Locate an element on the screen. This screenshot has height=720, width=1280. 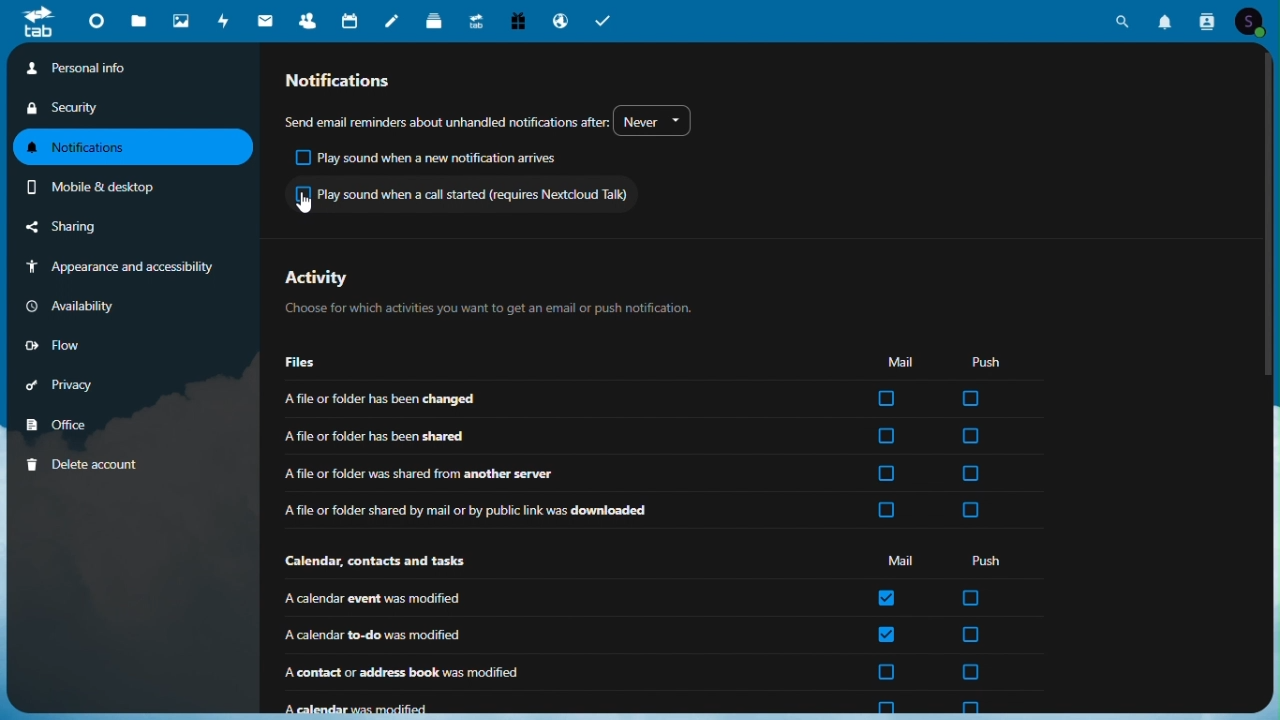
check box is located at coordinates (972, 436).